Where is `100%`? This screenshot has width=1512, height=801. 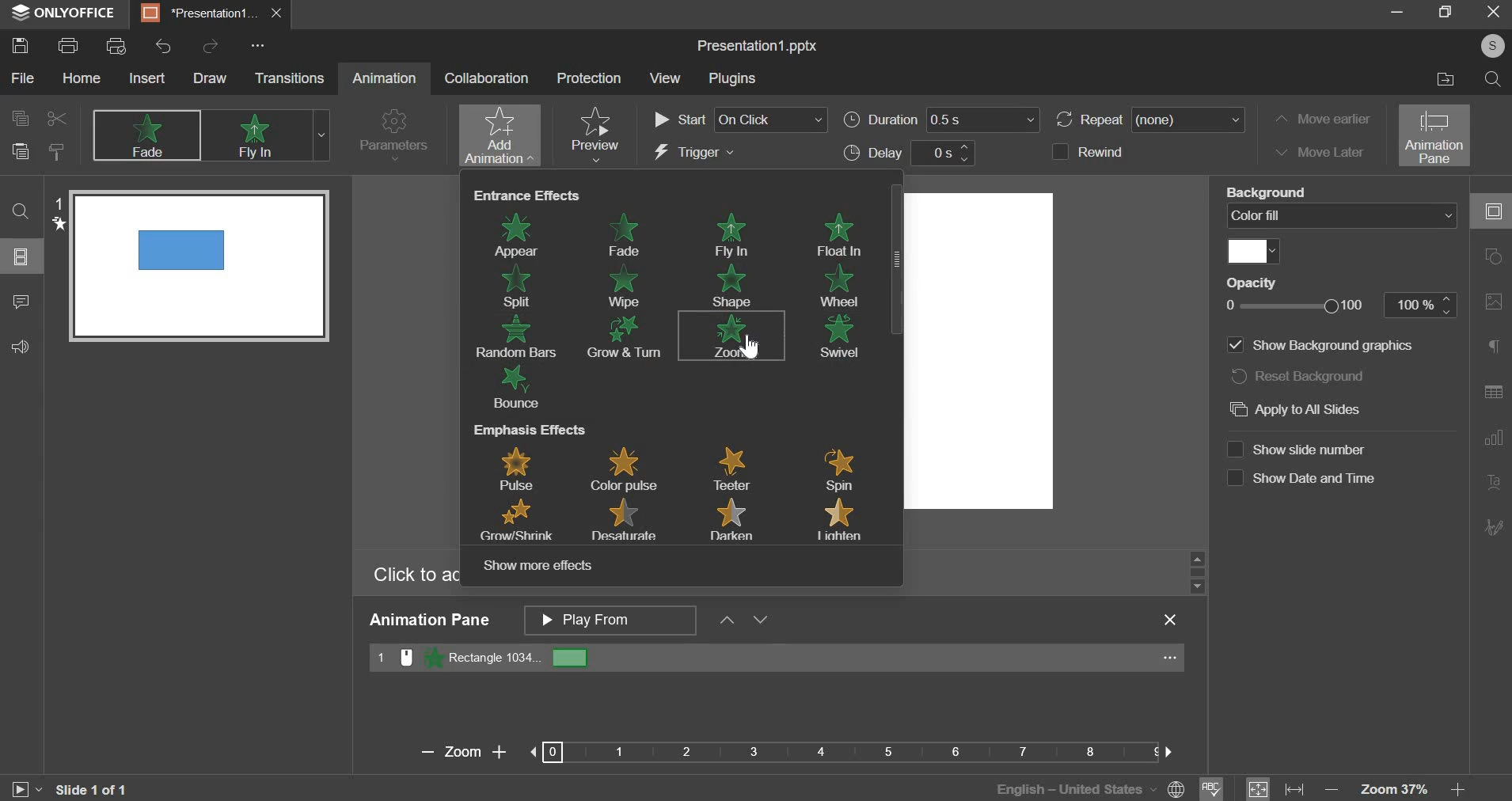
100% is located at coordinates (1418, 305).